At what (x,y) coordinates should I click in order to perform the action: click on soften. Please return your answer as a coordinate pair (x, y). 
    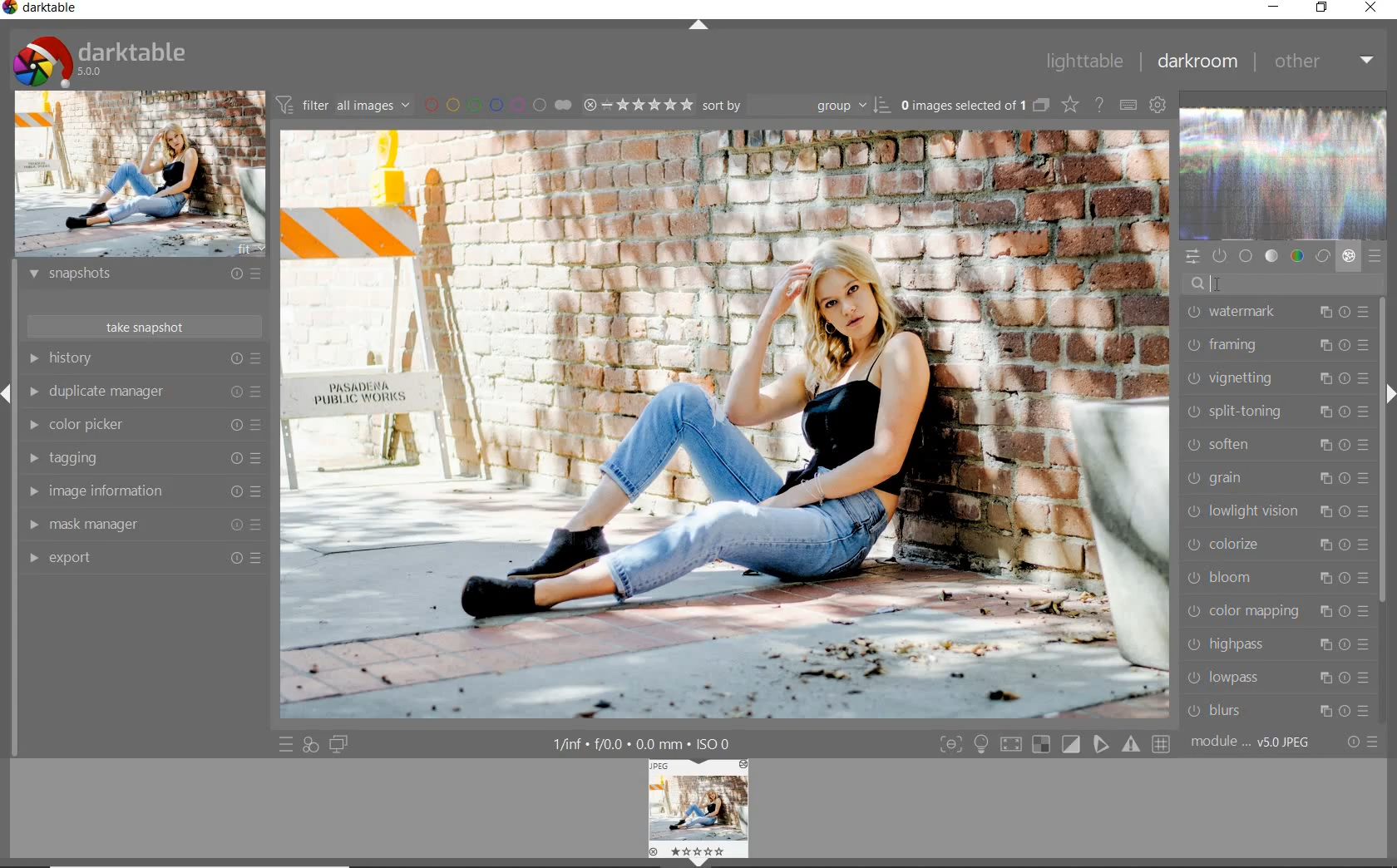
    Looking at the image, I should click on (1276, 446).